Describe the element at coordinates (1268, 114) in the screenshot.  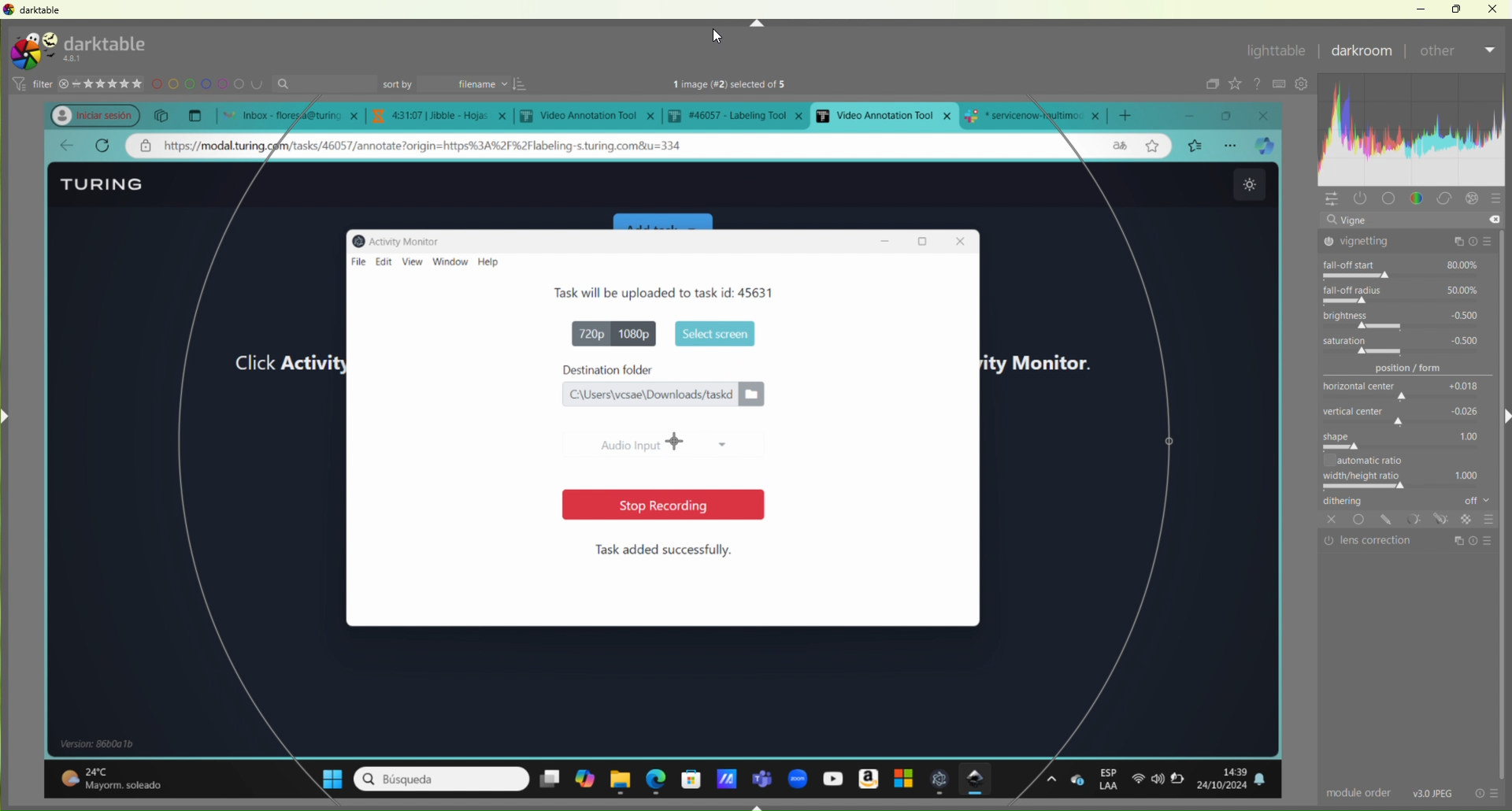
I see `close` at that location.